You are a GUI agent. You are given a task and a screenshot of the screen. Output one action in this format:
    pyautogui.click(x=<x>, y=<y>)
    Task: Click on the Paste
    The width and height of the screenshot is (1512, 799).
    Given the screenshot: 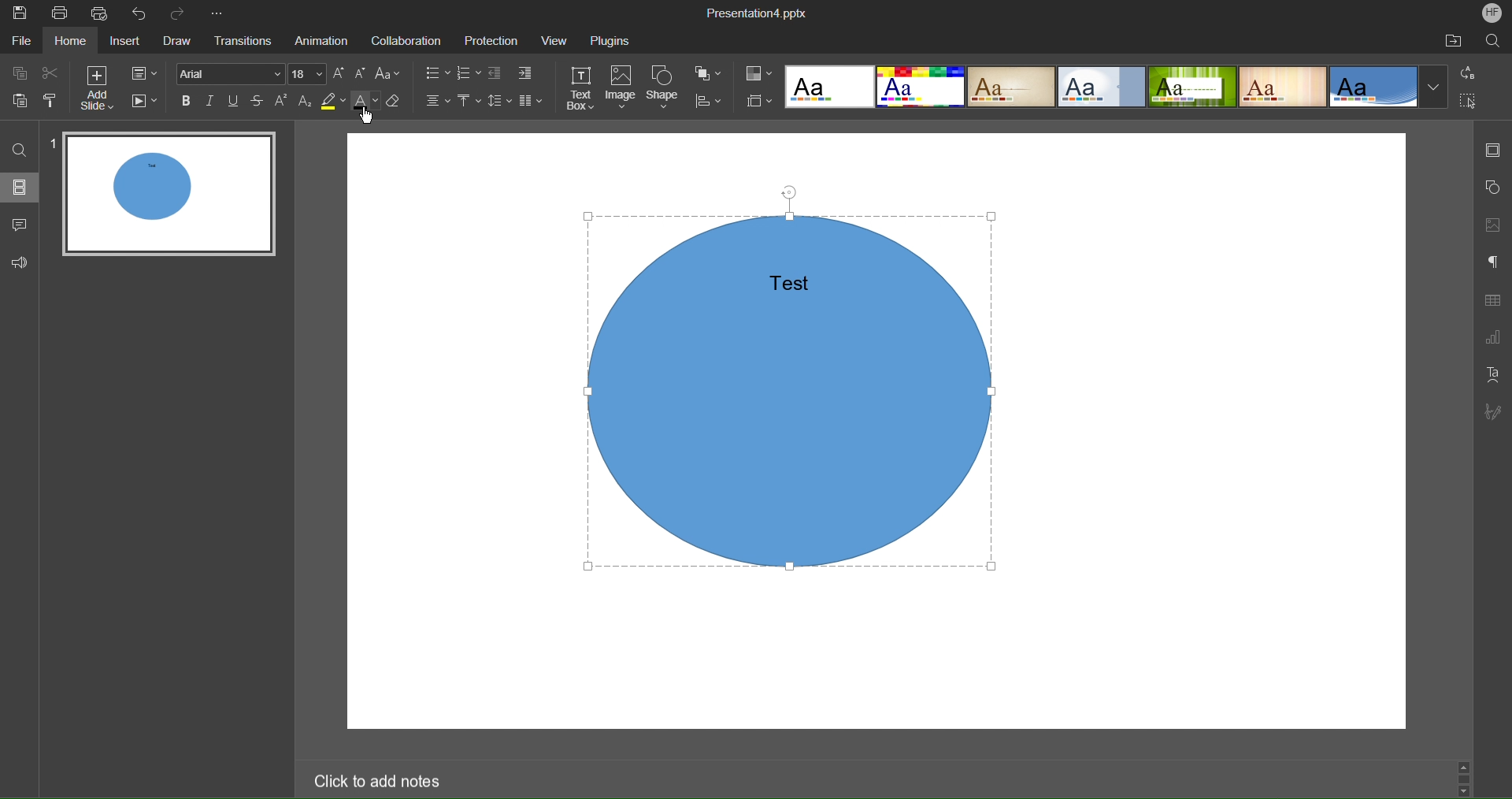 What is the action you would take?
    pyautogui.click(x=16, y=102)
    